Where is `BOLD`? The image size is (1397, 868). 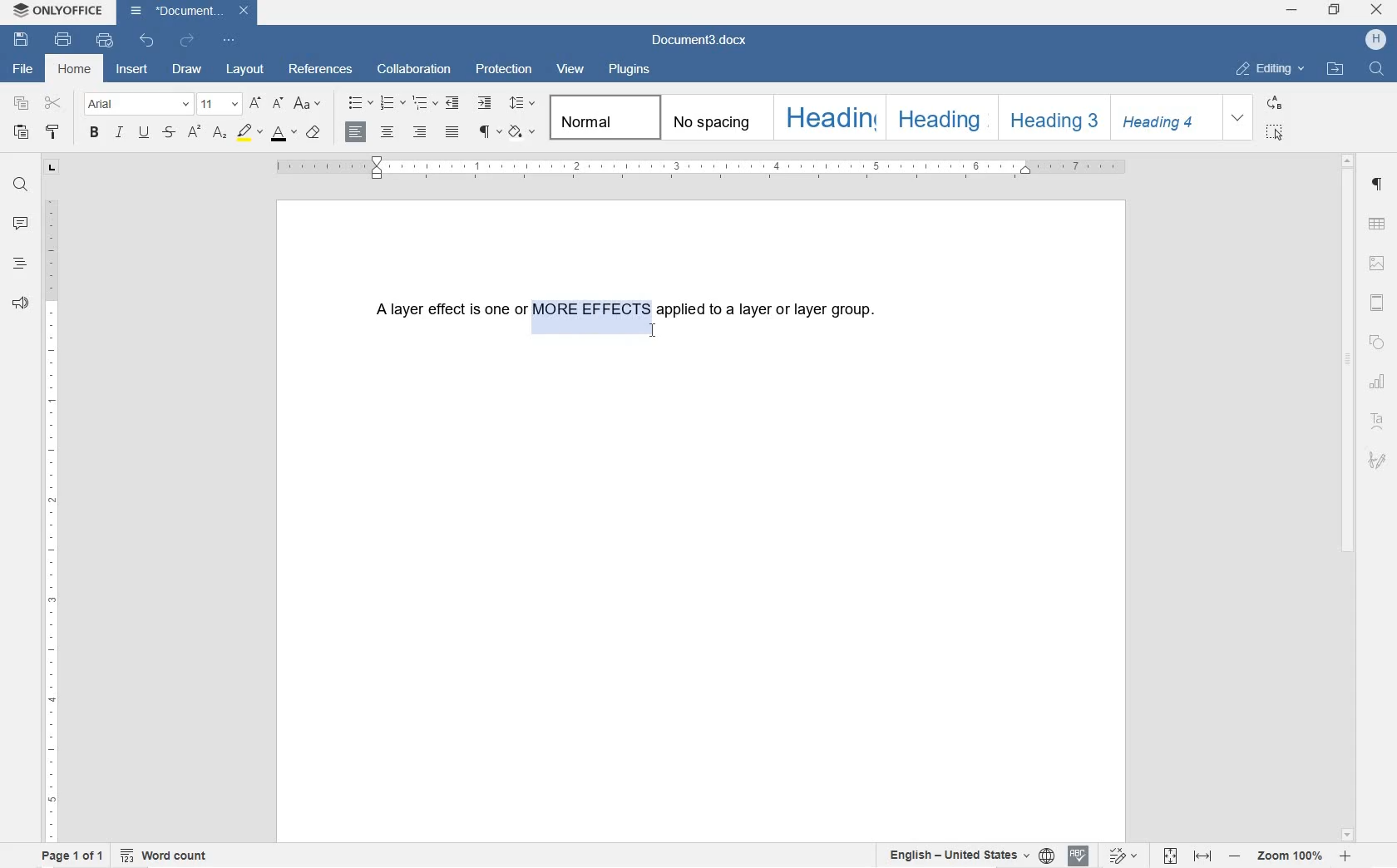 BOLD is located at coordinates (95, 134).